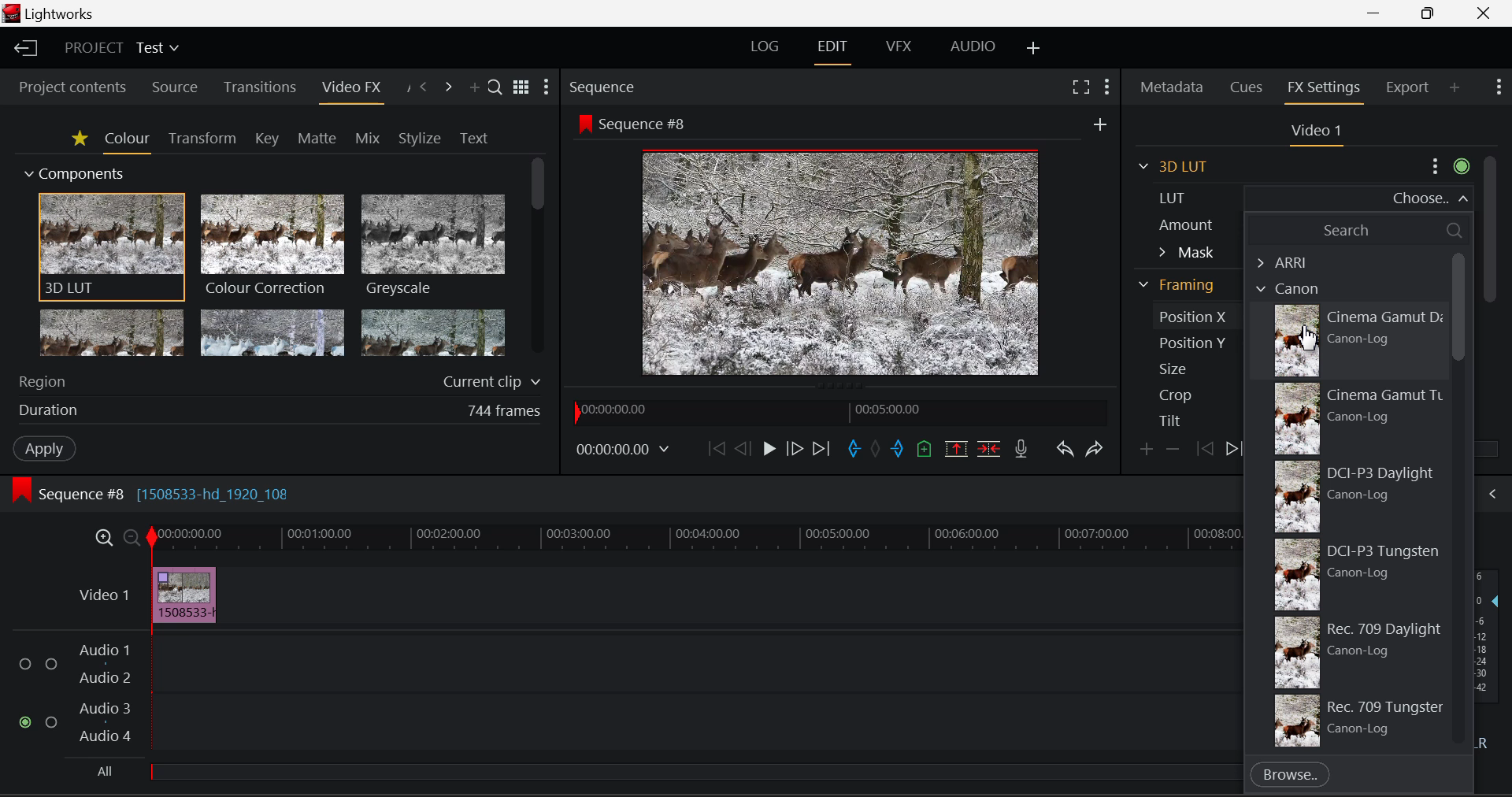 This screenshot has height=797, width=1512. What do you see at coordinates (822, 451) in the screenshot?
I see `To End` at bounding box center [822, 451].